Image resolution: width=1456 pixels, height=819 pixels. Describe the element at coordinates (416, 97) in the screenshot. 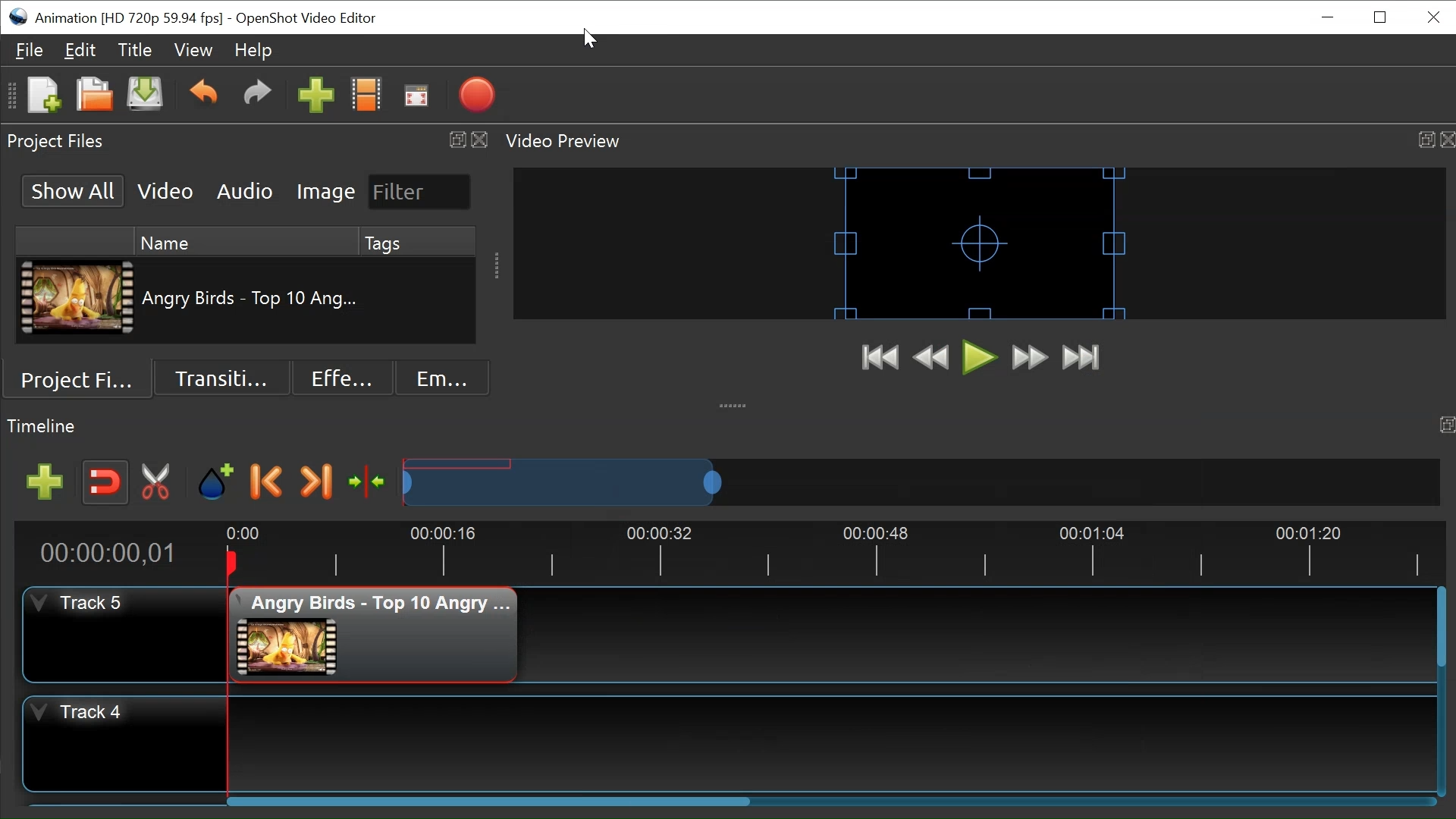

I see `Fullscreen` at that location.